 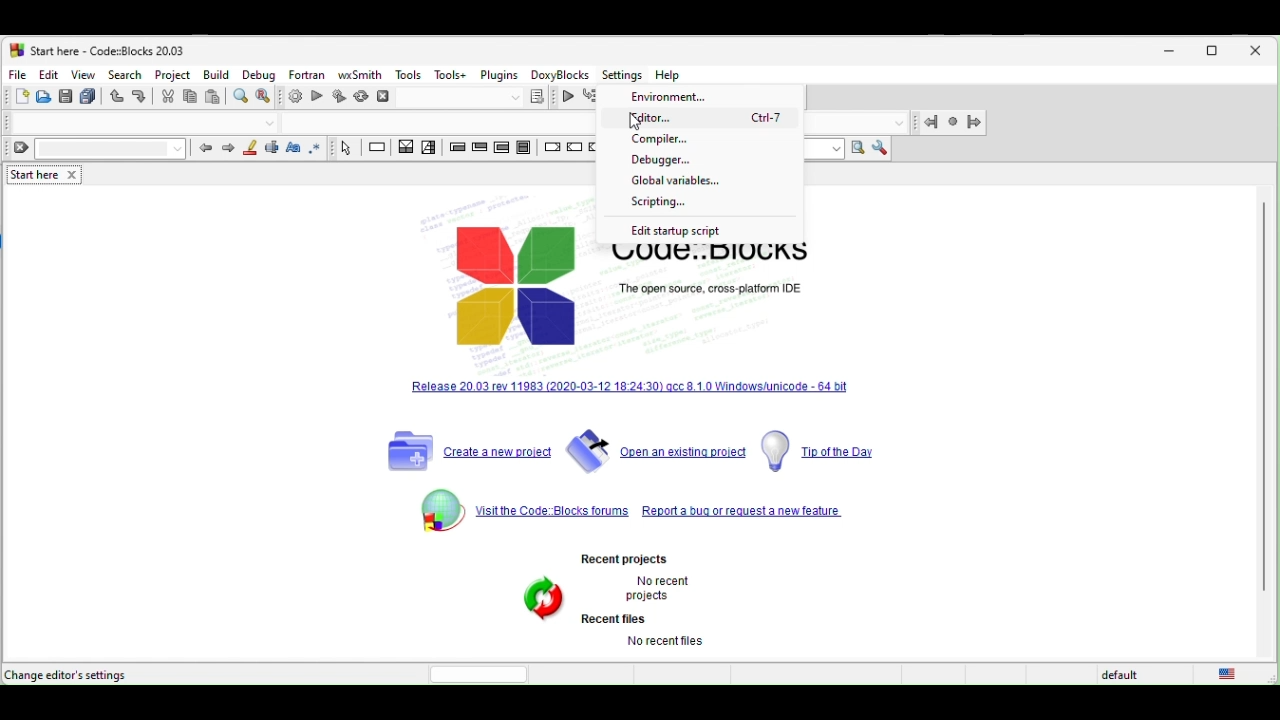 What do you see at coordinates (431, 149) in the screenshot?
I see `selection` at bounding box center [431, 149].